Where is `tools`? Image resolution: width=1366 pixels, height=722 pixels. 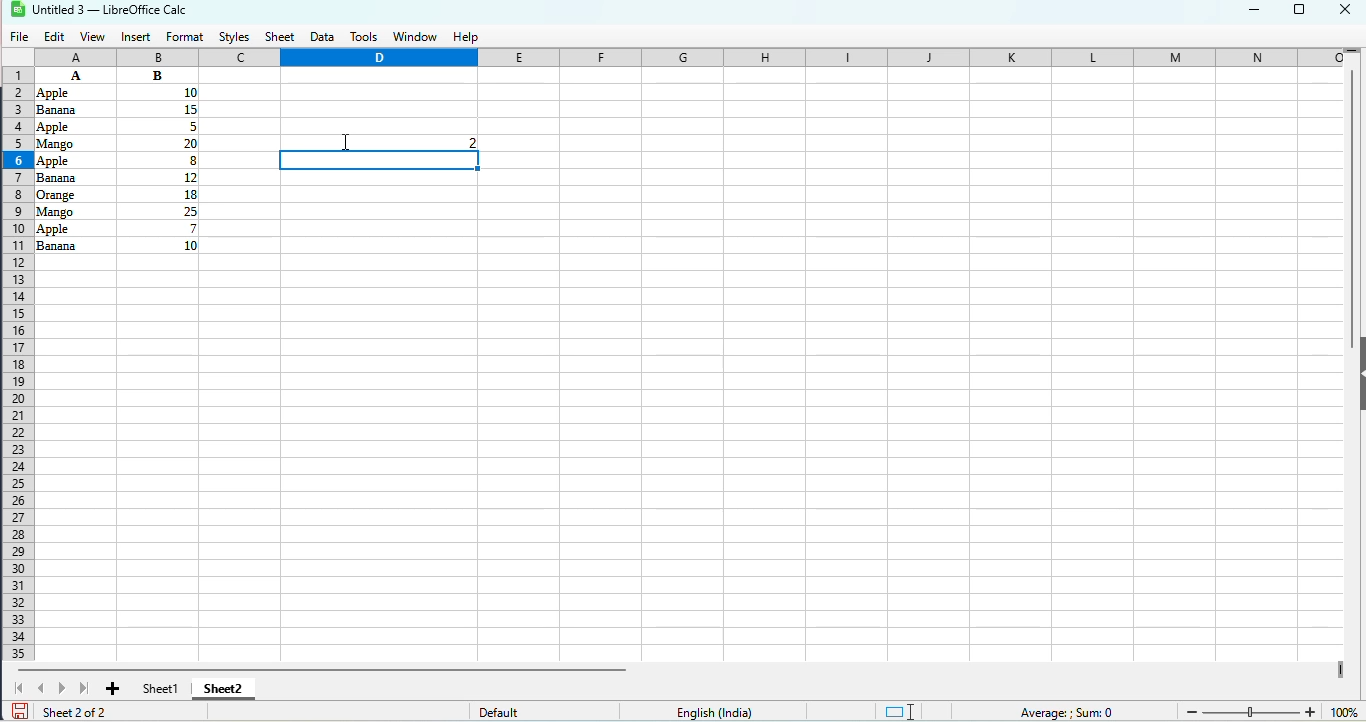
tools is located at coordinates (364, 37).